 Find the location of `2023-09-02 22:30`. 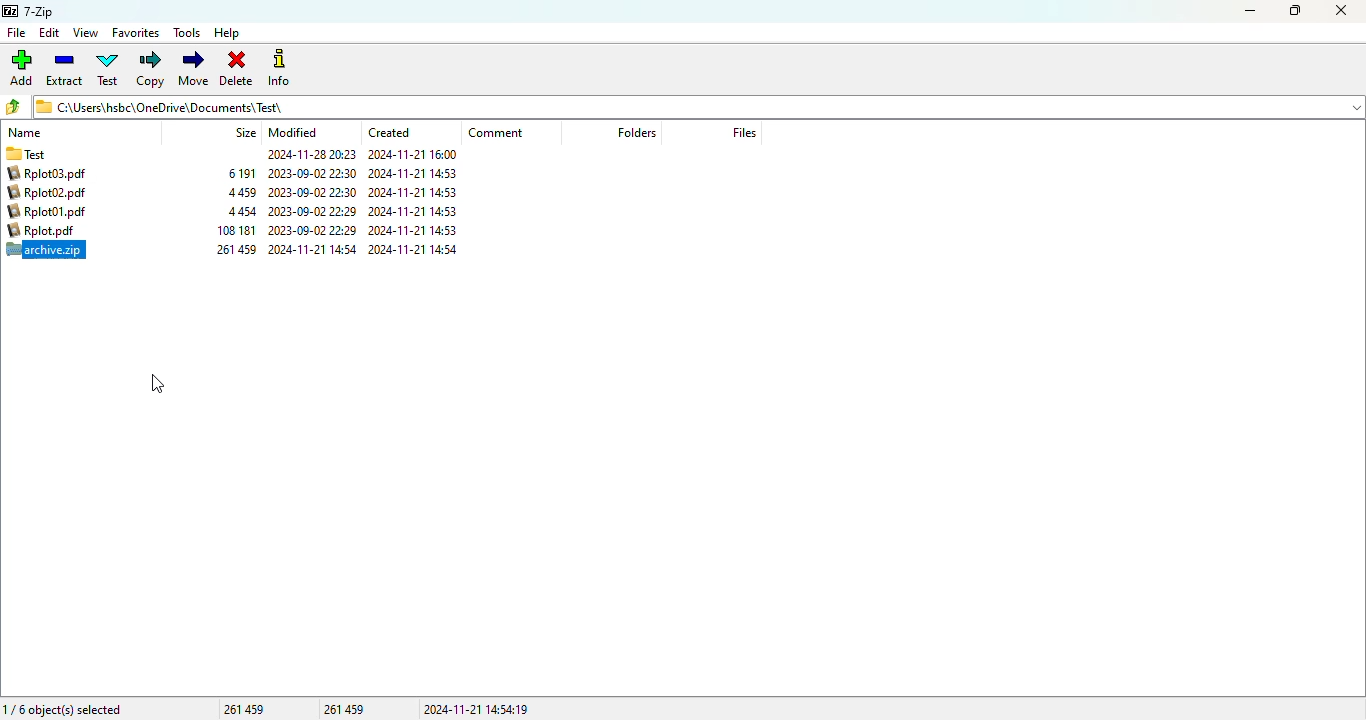

2023-09-02 22:30 is located at coordinates (313, 193).